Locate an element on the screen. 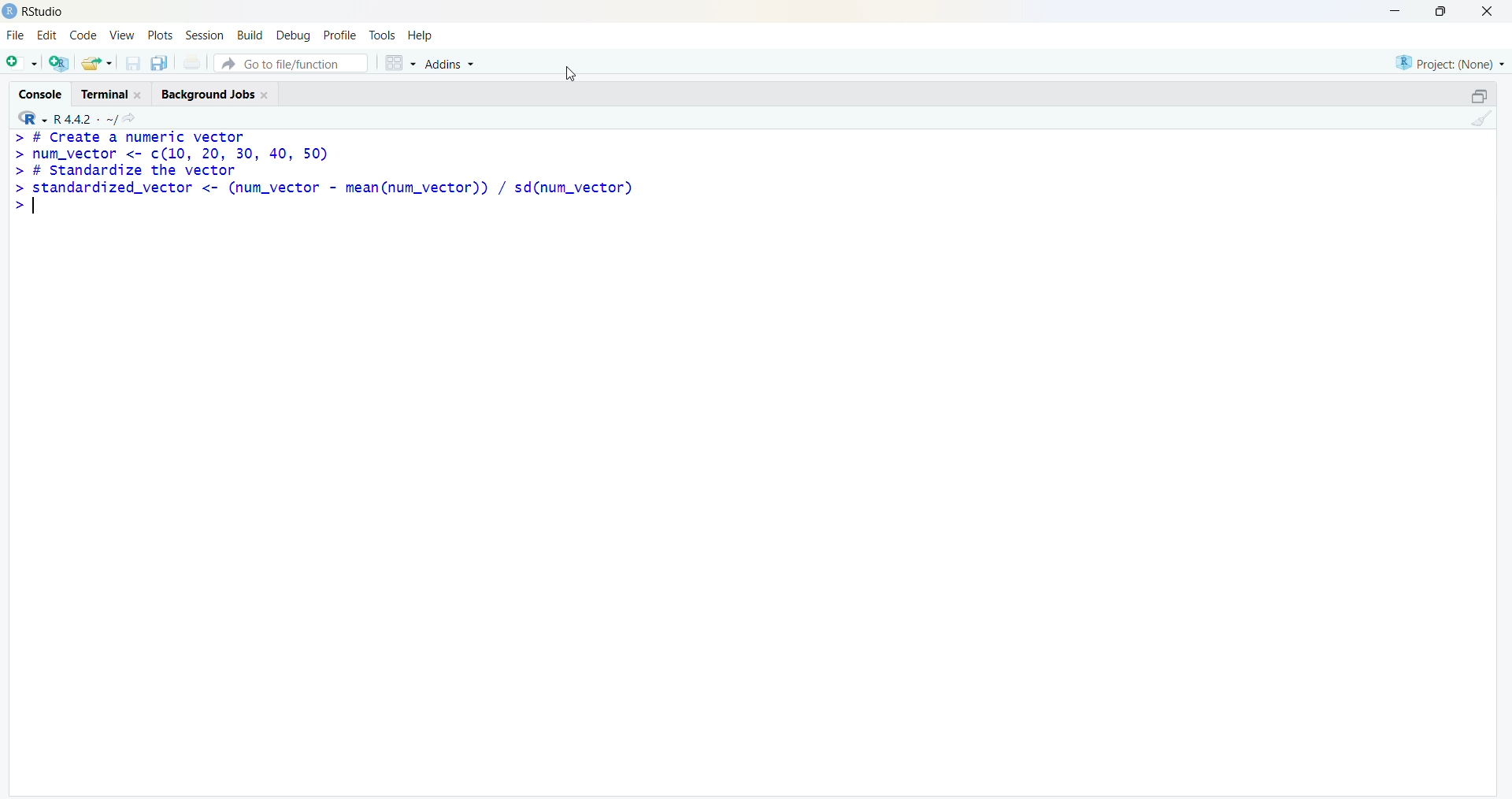  share icon is located at coordinates (129, 118).